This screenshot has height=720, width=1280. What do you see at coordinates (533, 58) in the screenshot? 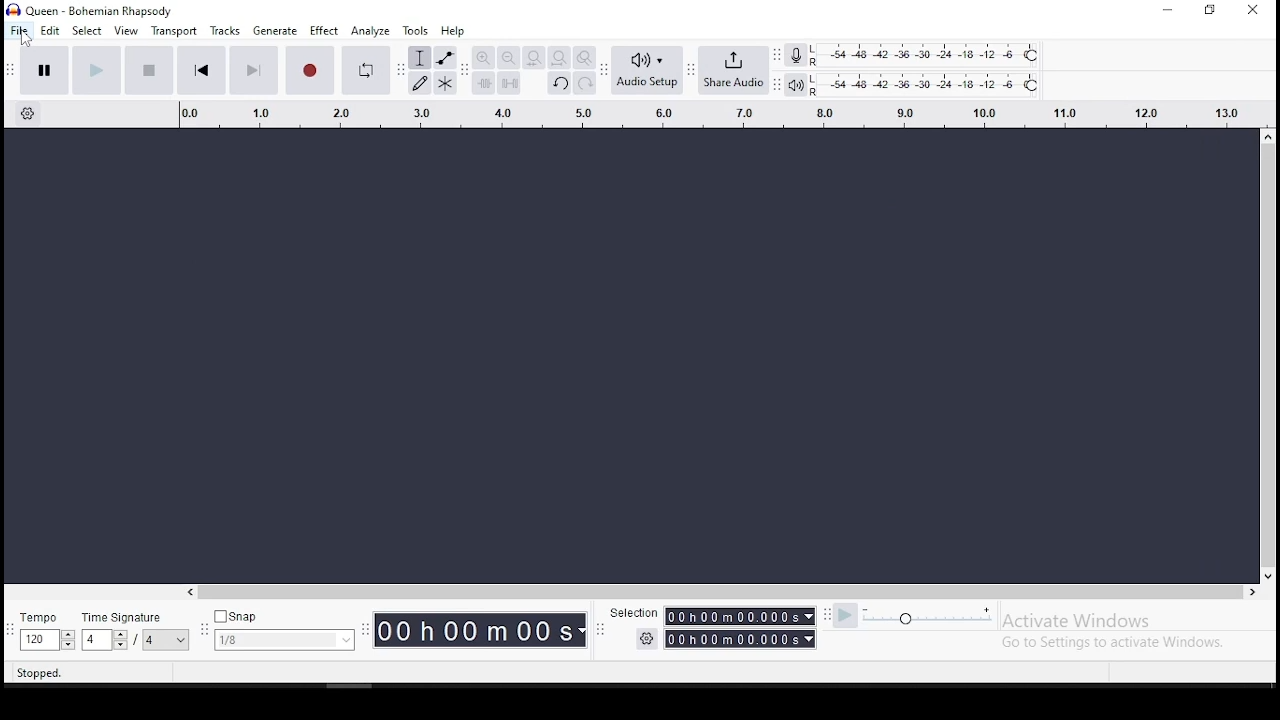
I see `fit selection to width` at bounding box center [533, 58].